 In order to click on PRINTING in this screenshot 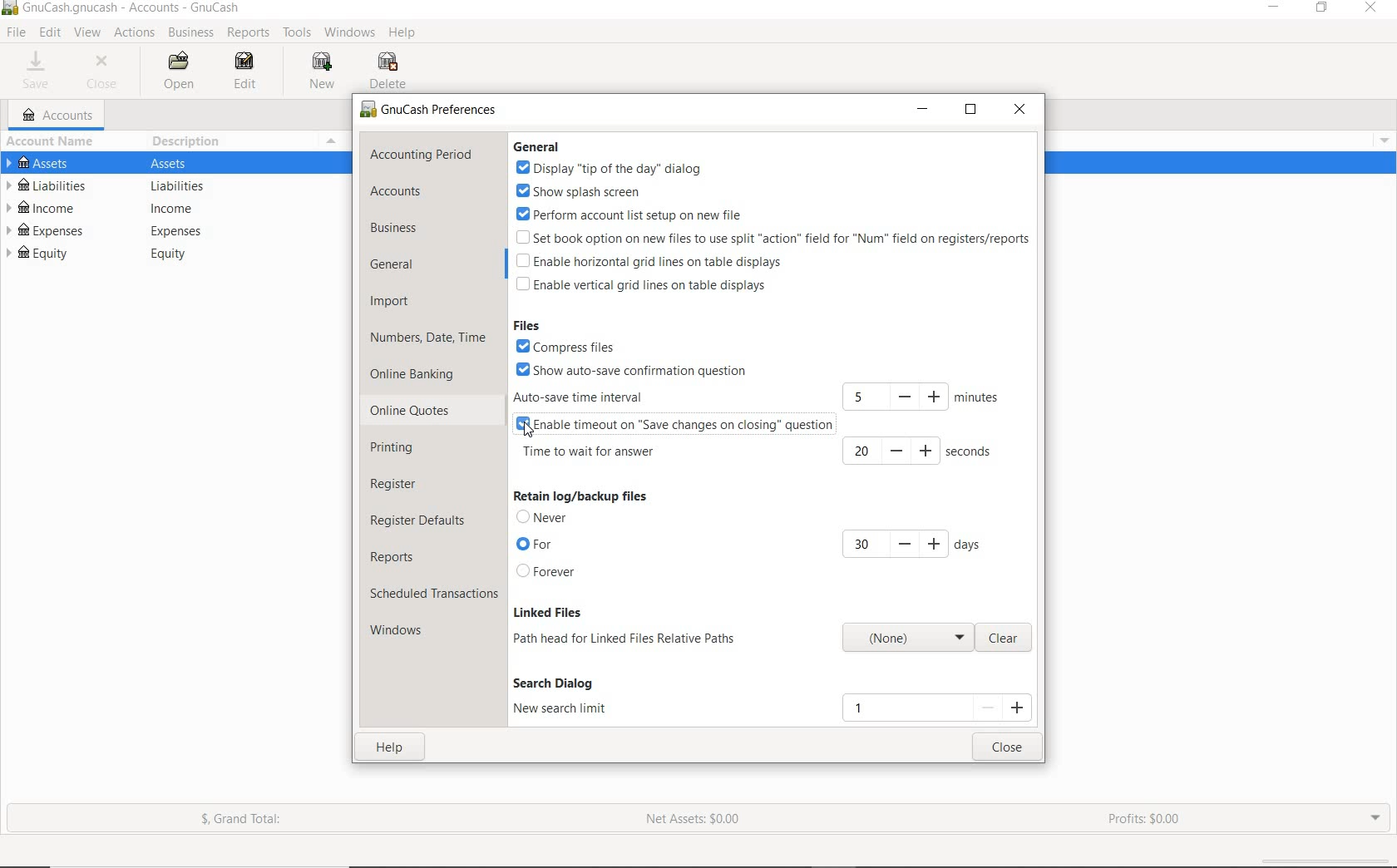, I will do `click(406, 447)`.